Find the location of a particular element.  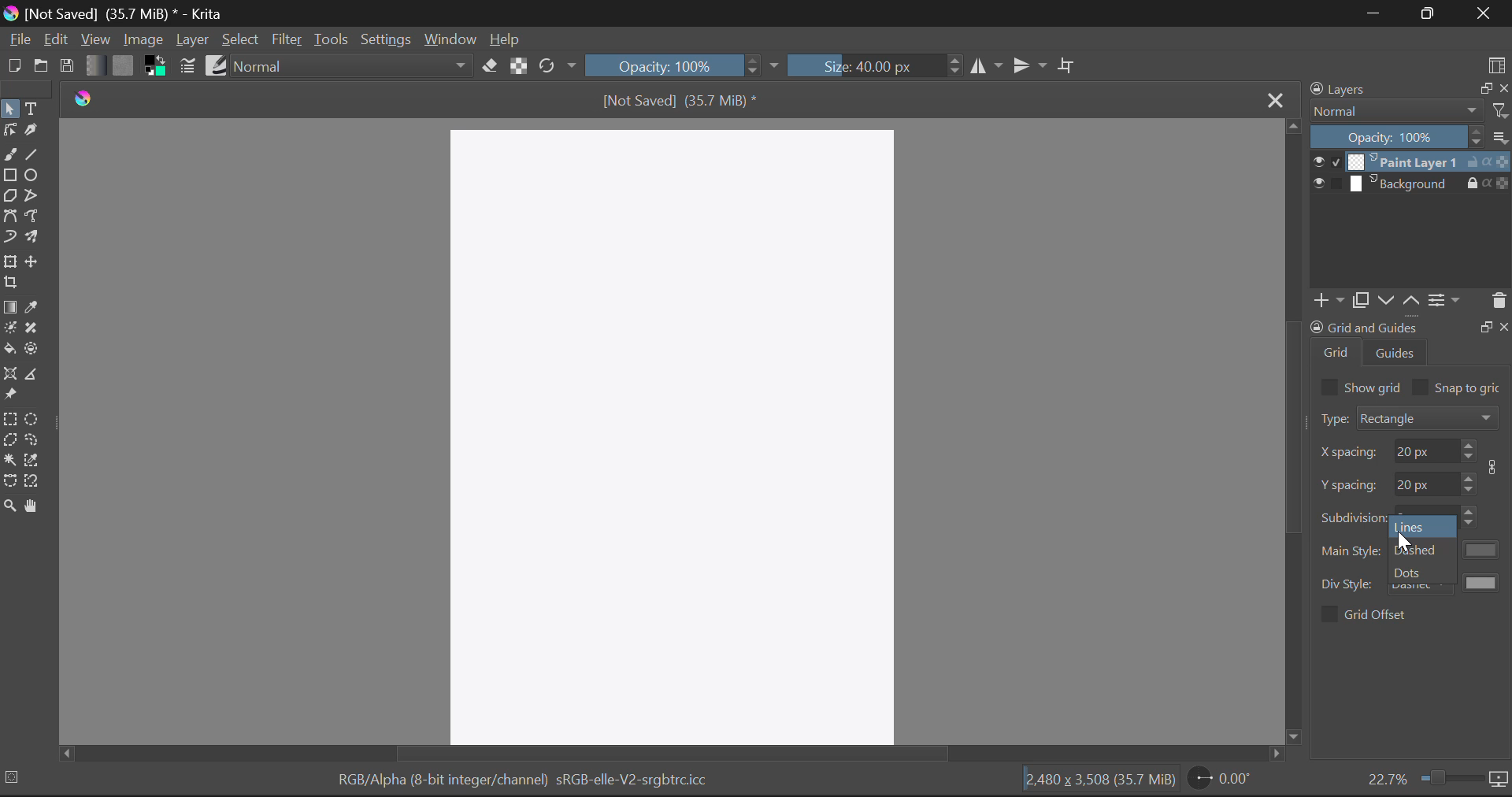

Reference Image is located at coordinates (10, 395).